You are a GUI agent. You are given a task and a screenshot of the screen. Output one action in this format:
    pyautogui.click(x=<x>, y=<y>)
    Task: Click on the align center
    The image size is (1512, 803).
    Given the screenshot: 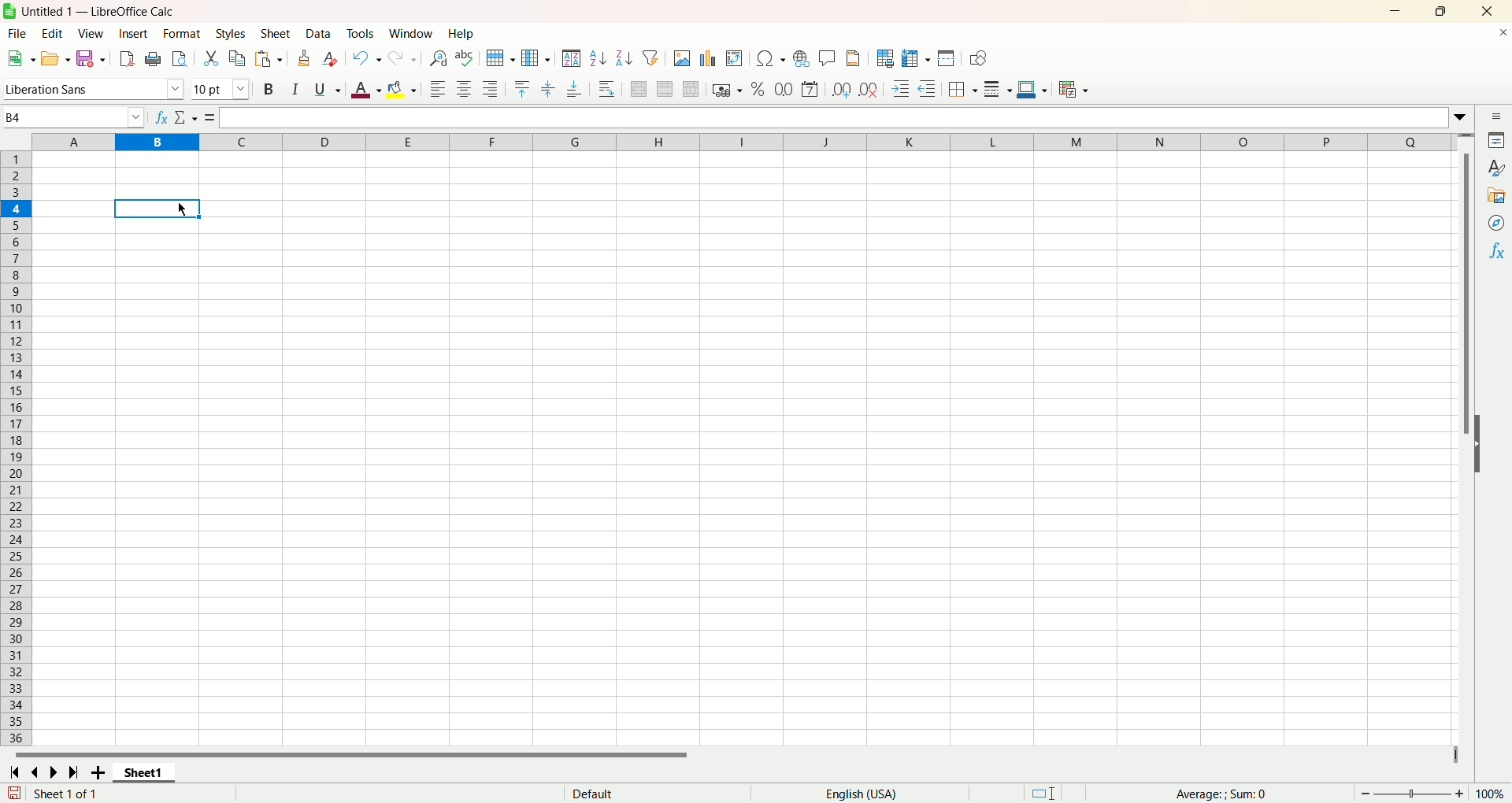 What is the action you would take?
    pyautogui.click(x=467, y=90)
    